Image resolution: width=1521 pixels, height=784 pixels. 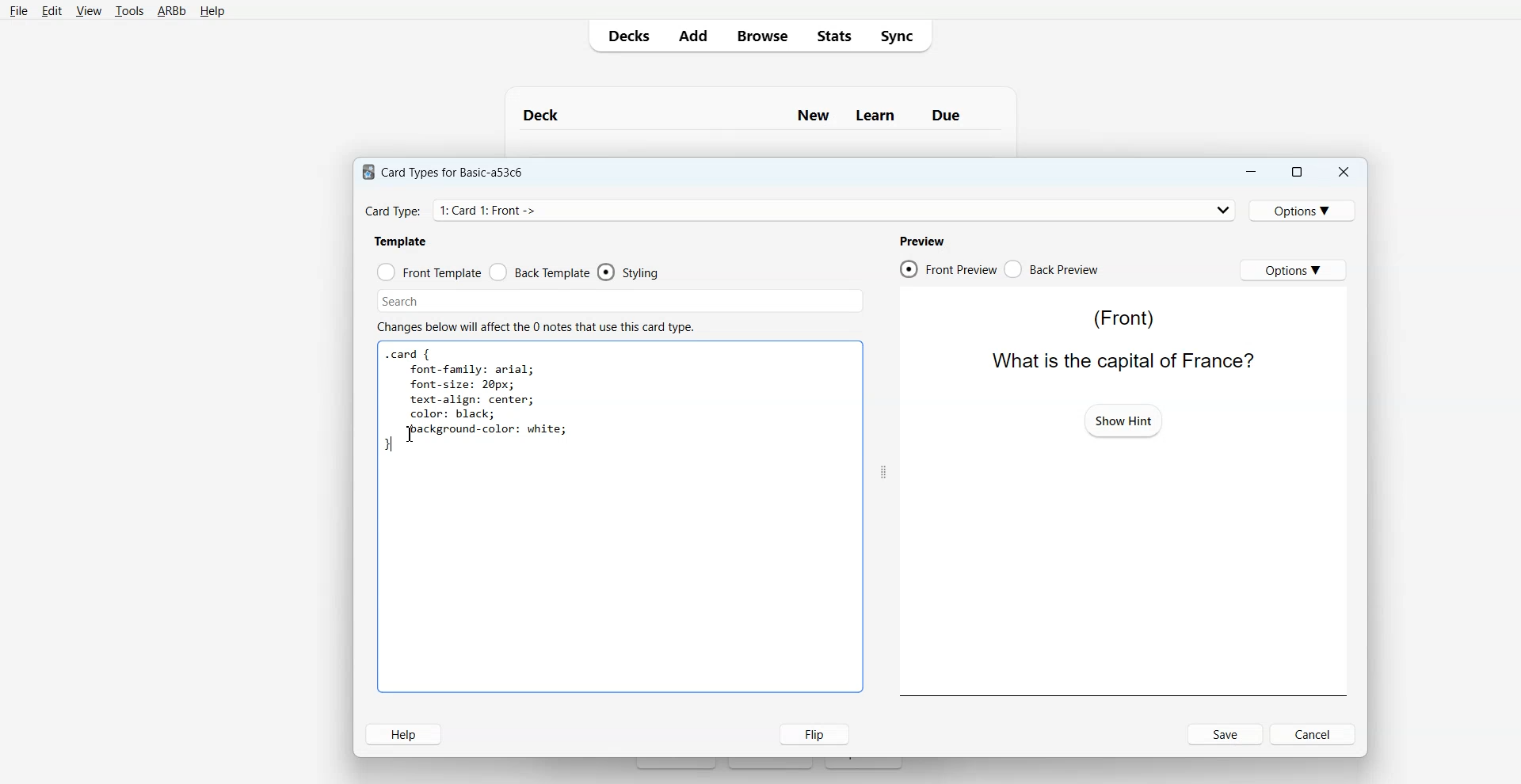 What do you see at coordinates (212, 12) in the screenshot?
I see `Help` at bounding box center [212, 12].